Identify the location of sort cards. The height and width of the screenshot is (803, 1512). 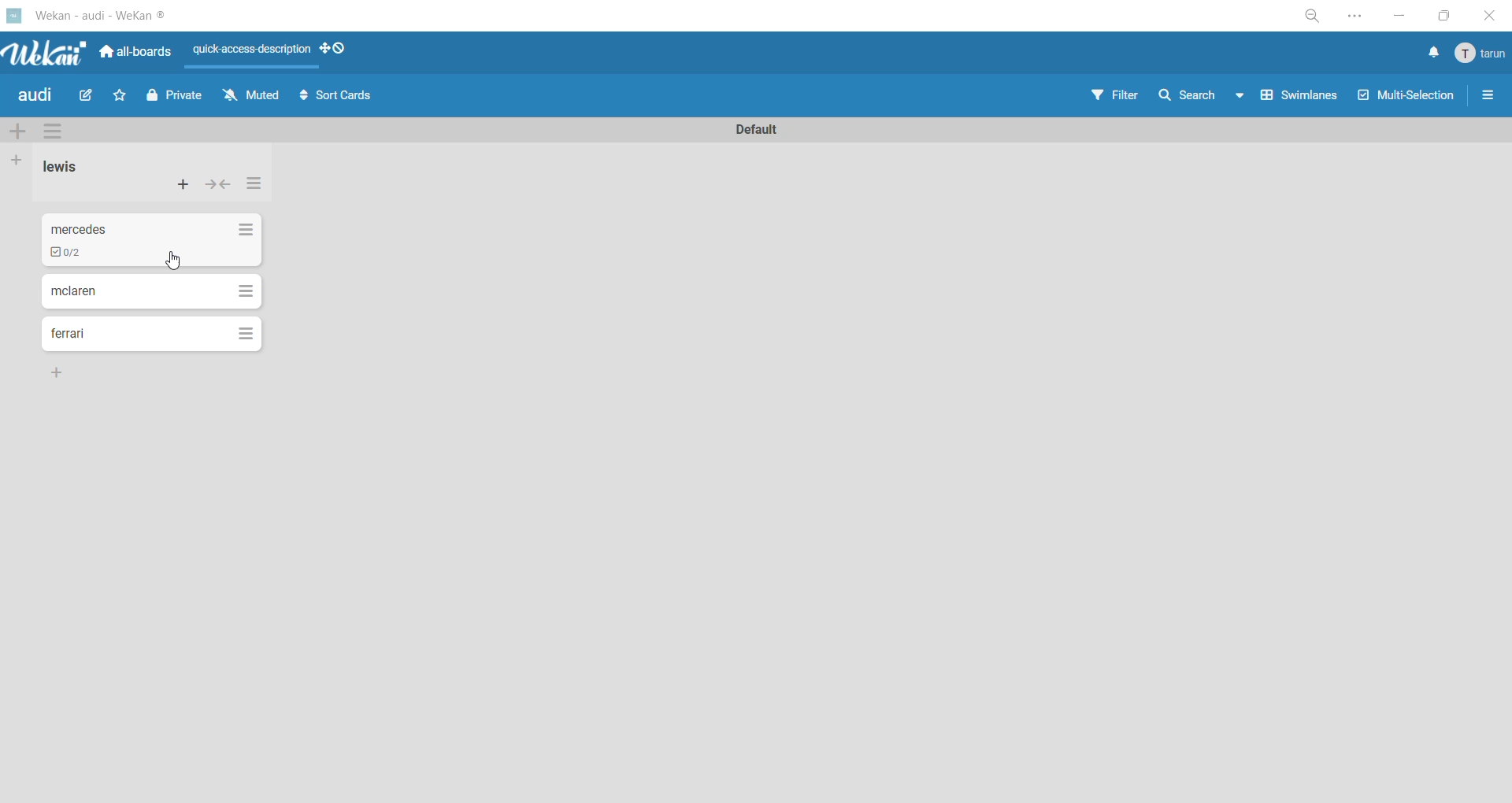
(336, 97).